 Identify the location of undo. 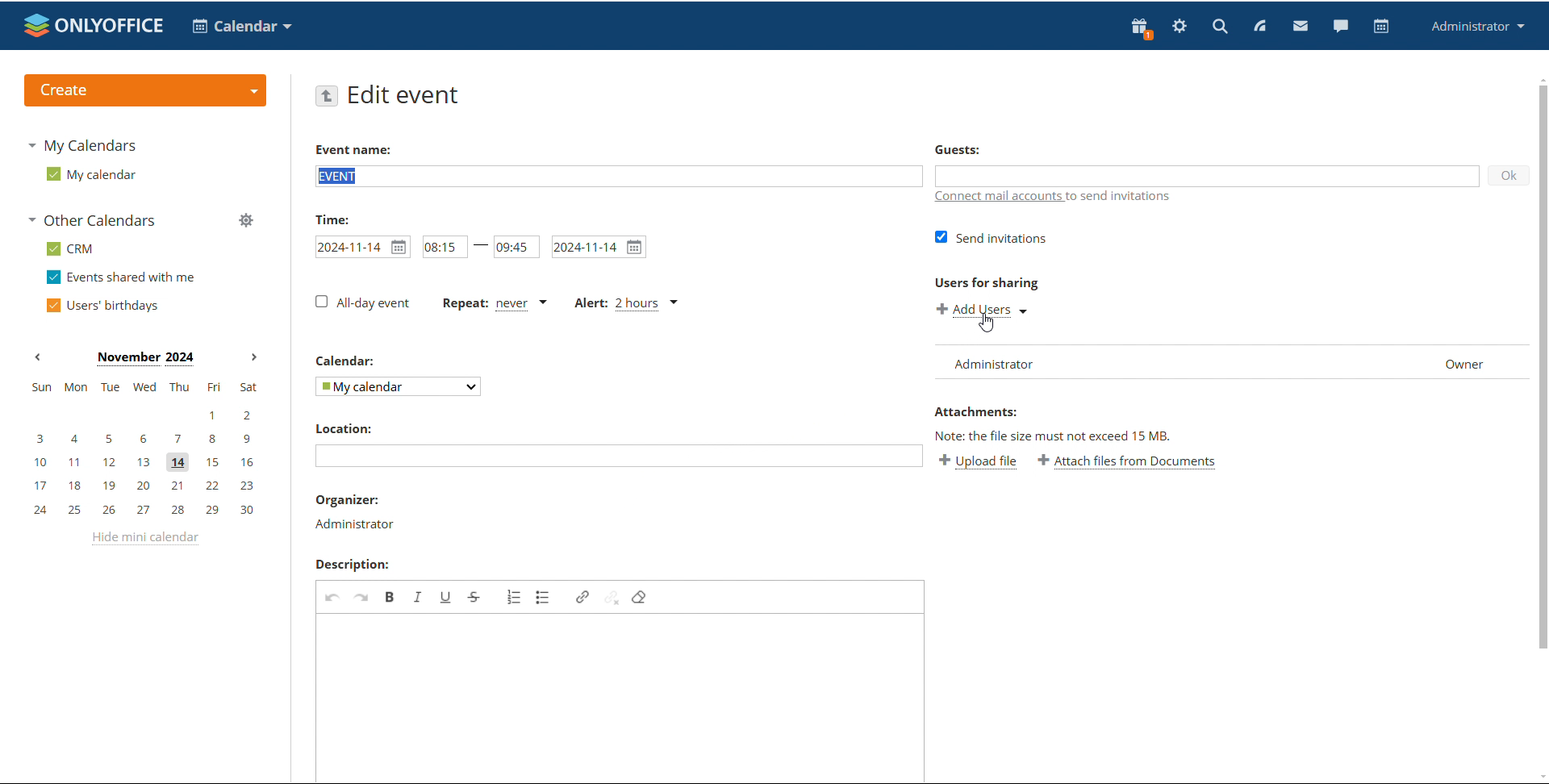
(333, 596).